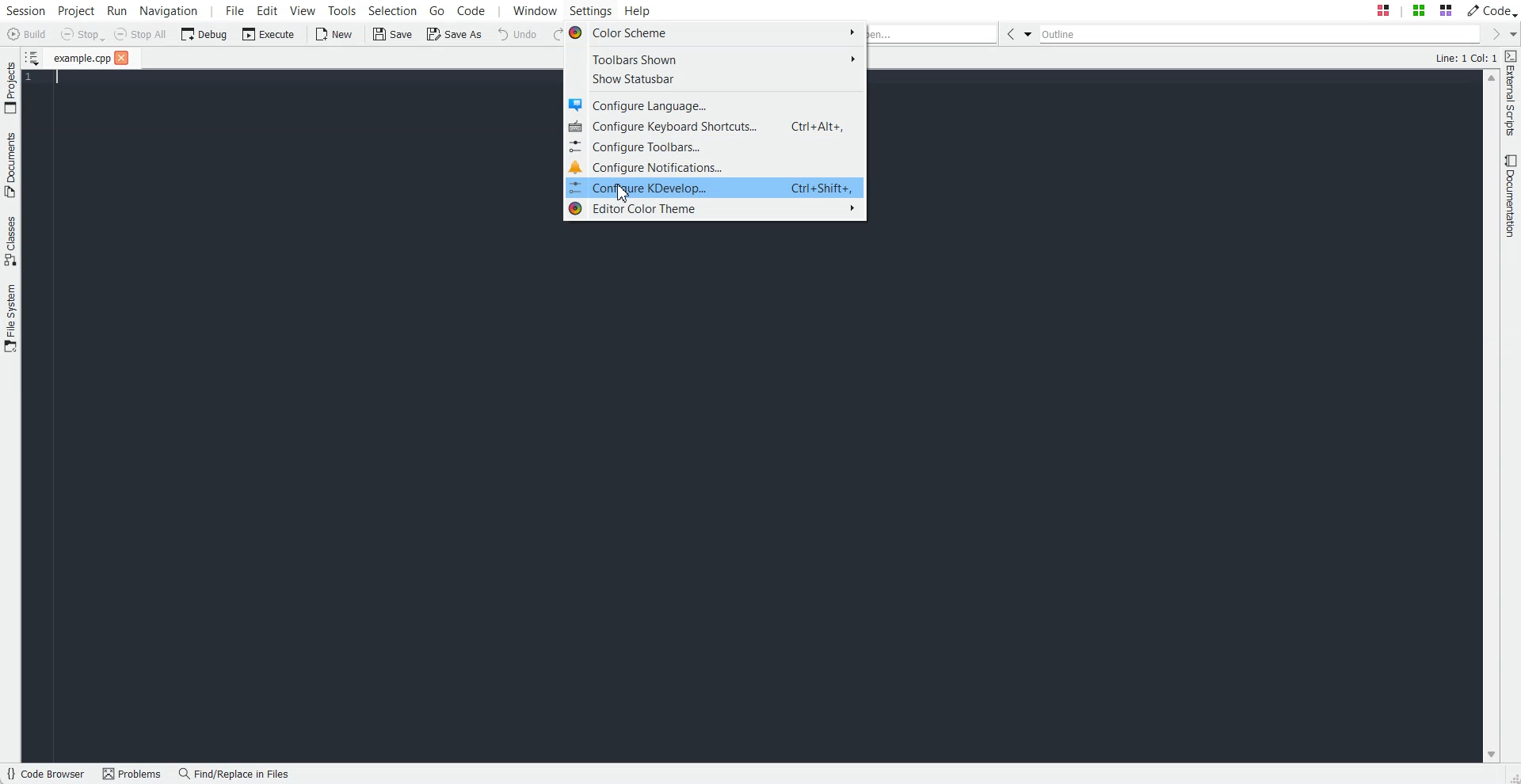 This screenshot has height=784, width=1521. Describe the element at coordinates (391, 33) in the screenshot. I see `Save` at that location.